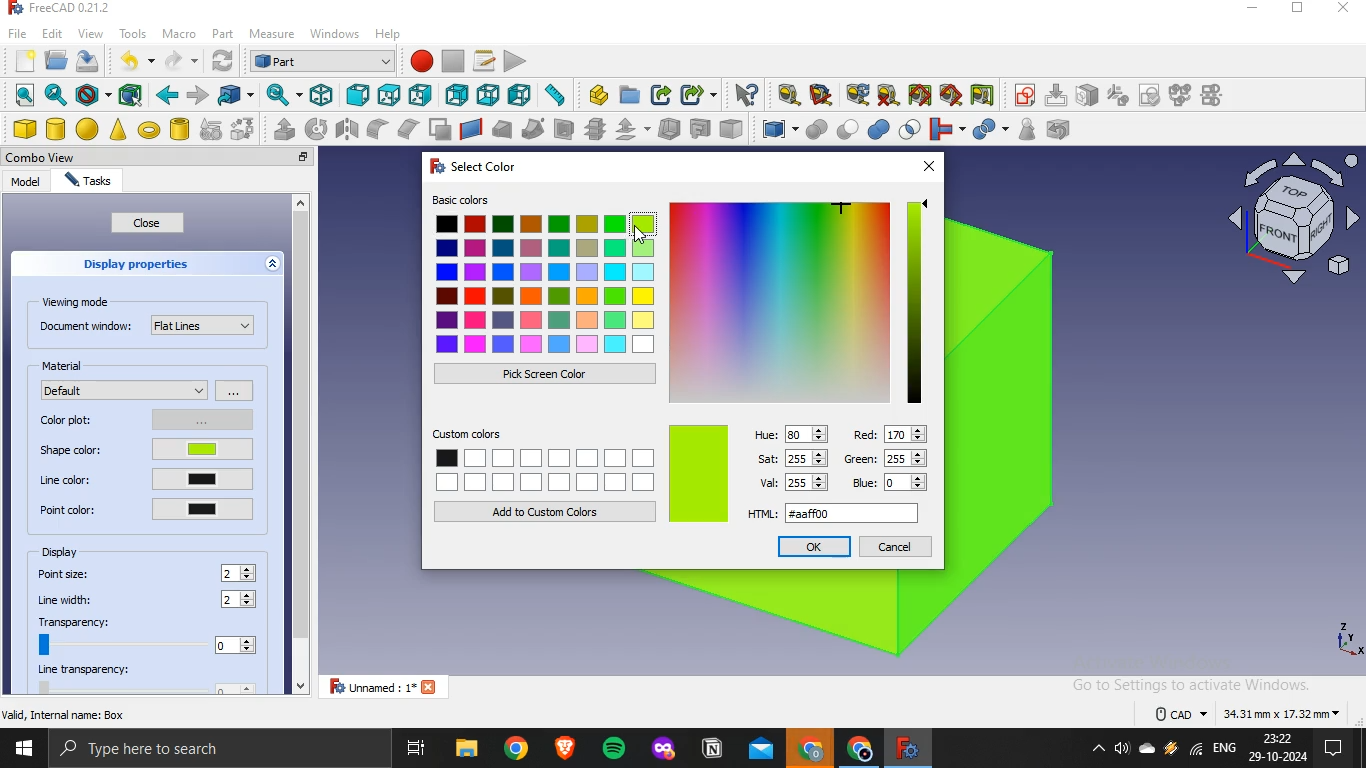 The image size is (1366, 768). What do you see at coordinates (945, 127) in the screenshot?
I see `join objects` at bounding box center [945, 127].